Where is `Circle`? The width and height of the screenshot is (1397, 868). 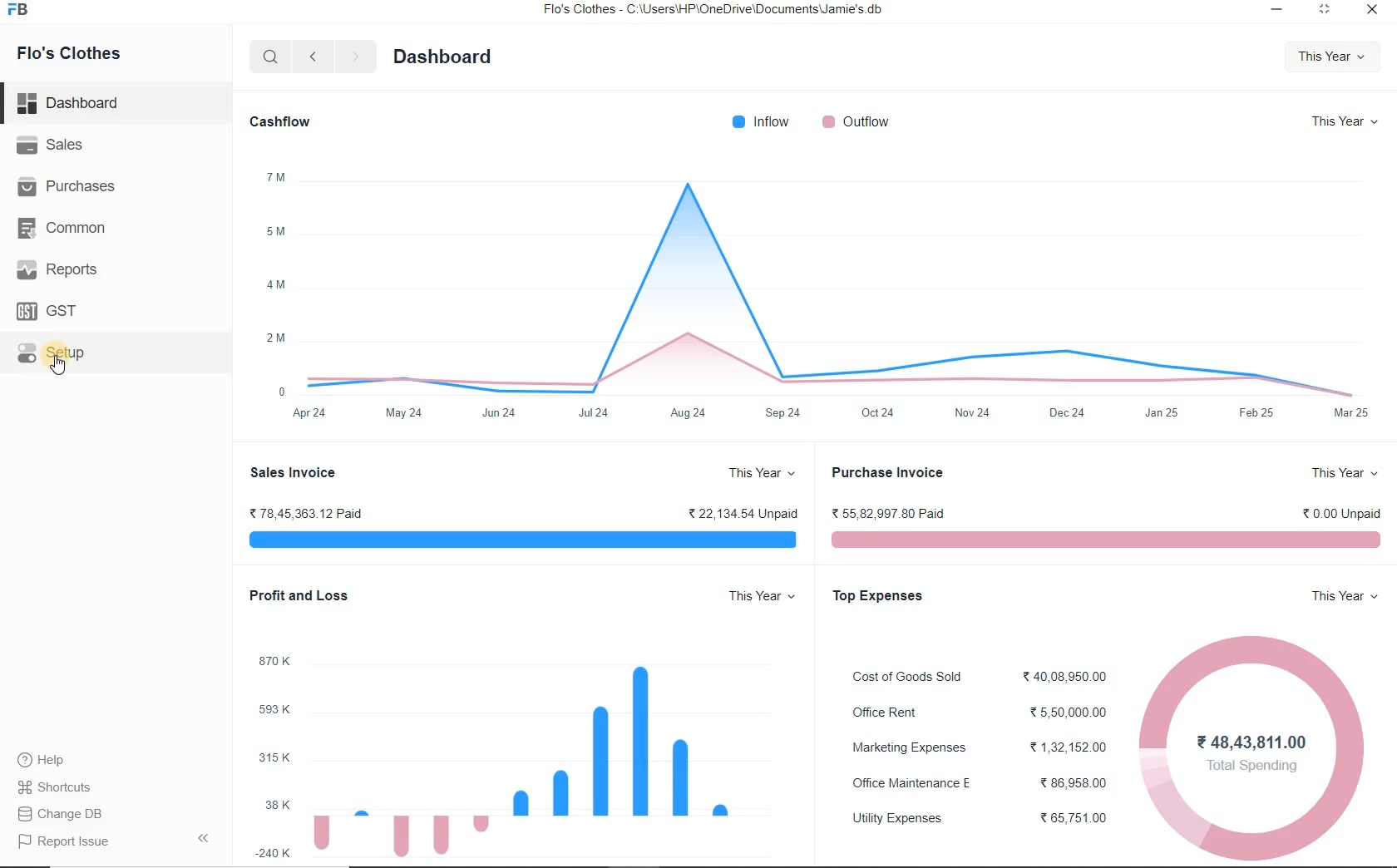
Circle is located at coordinates (1252, 747).